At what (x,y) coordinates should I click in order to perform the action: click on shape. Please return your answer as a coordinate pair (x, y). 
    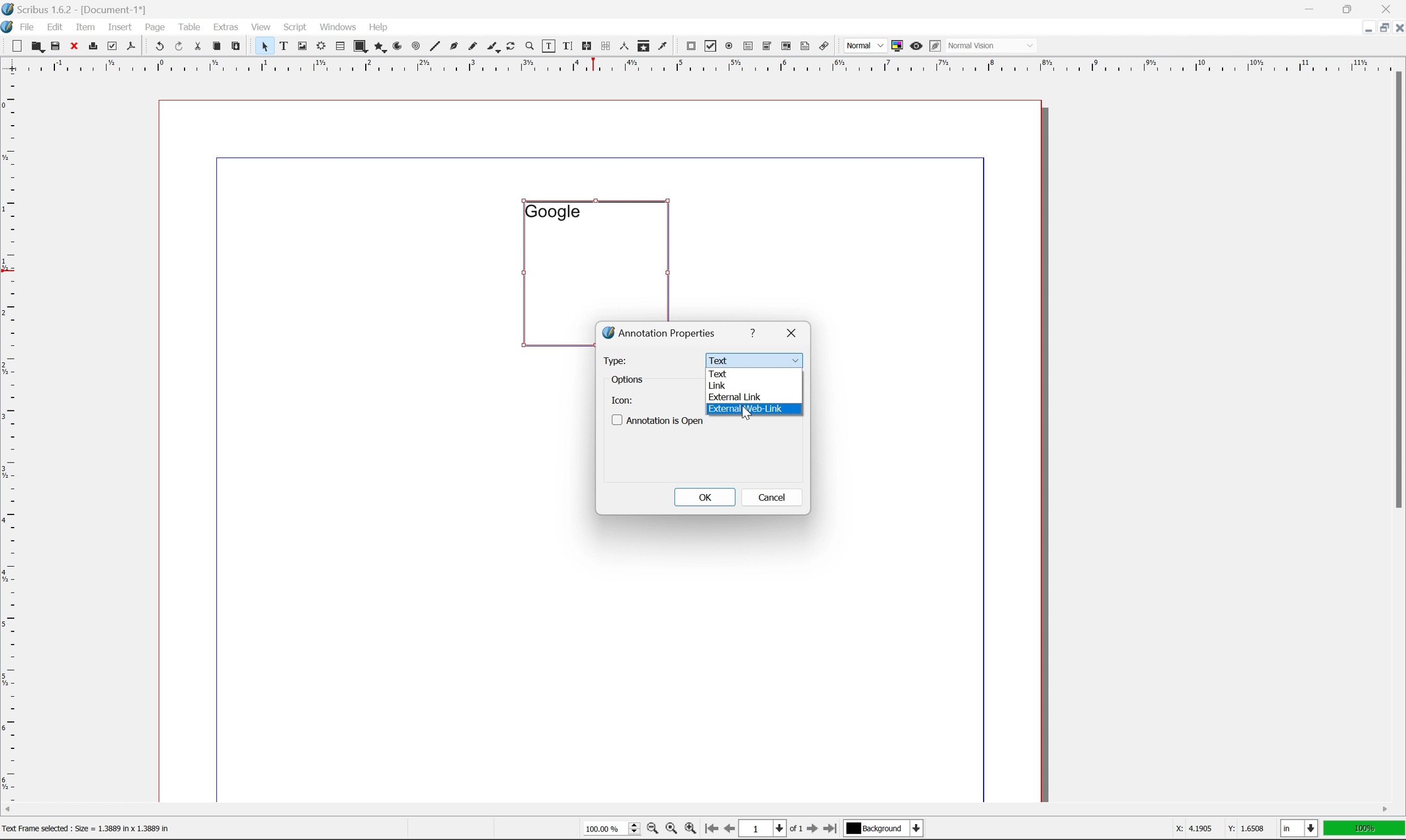
    Looking at the image, I should click on (361, 47).